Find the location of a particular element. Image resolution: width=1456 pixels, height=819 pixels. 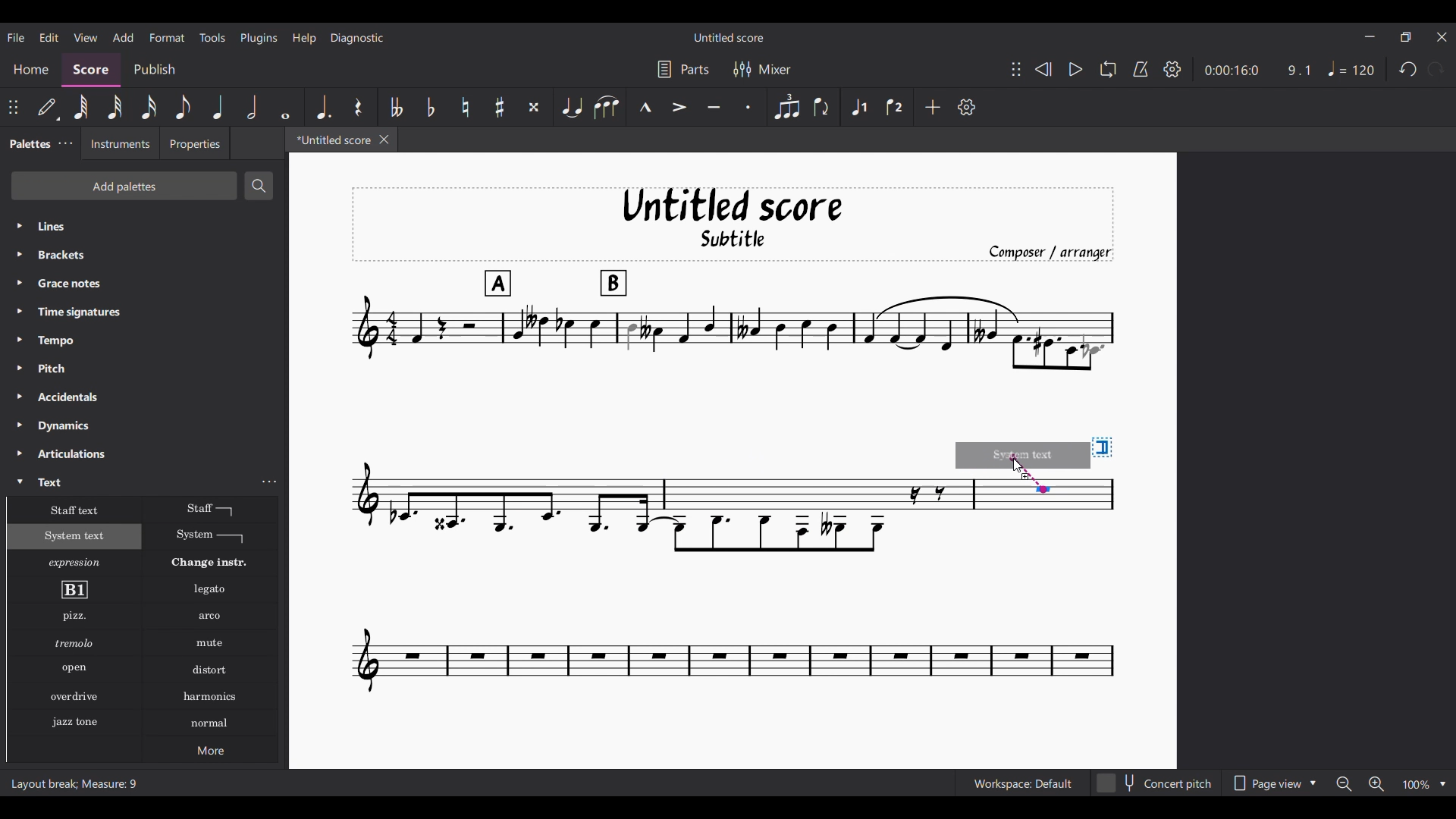

Lines is located at coordinates (144, 226).